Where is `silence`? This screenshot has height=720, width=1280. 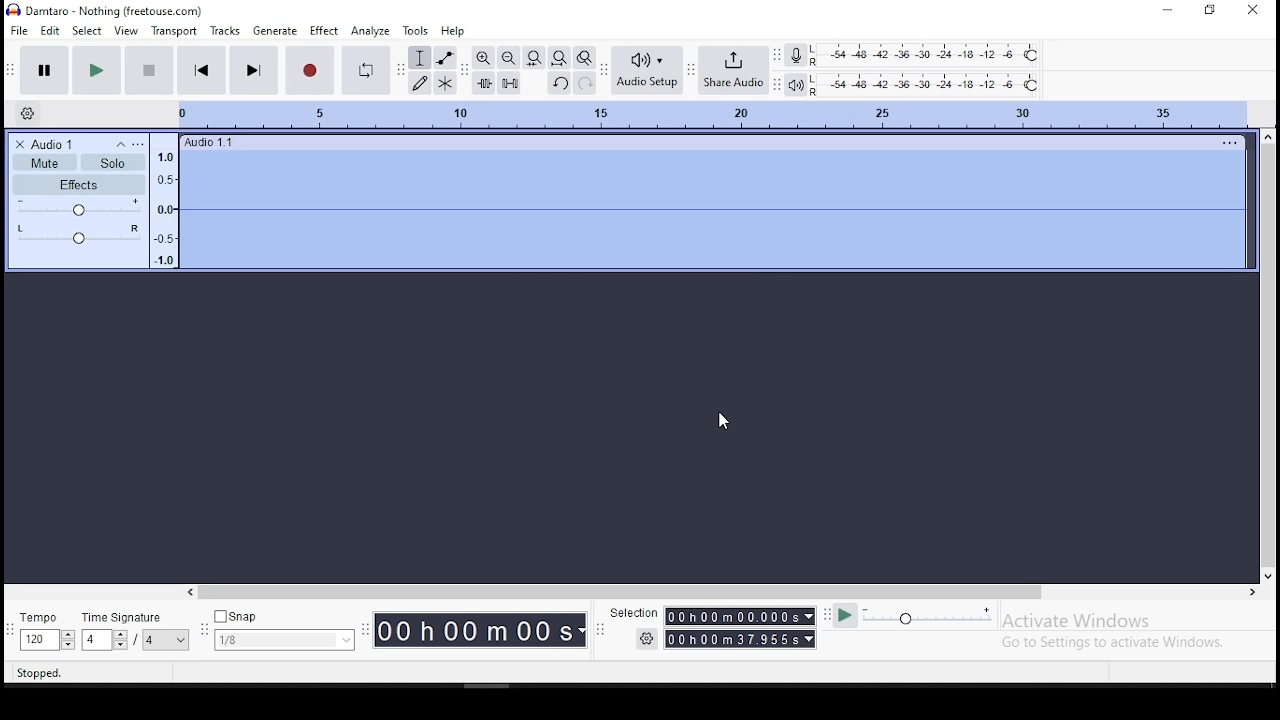 silence is located at coordinates (720, 203).